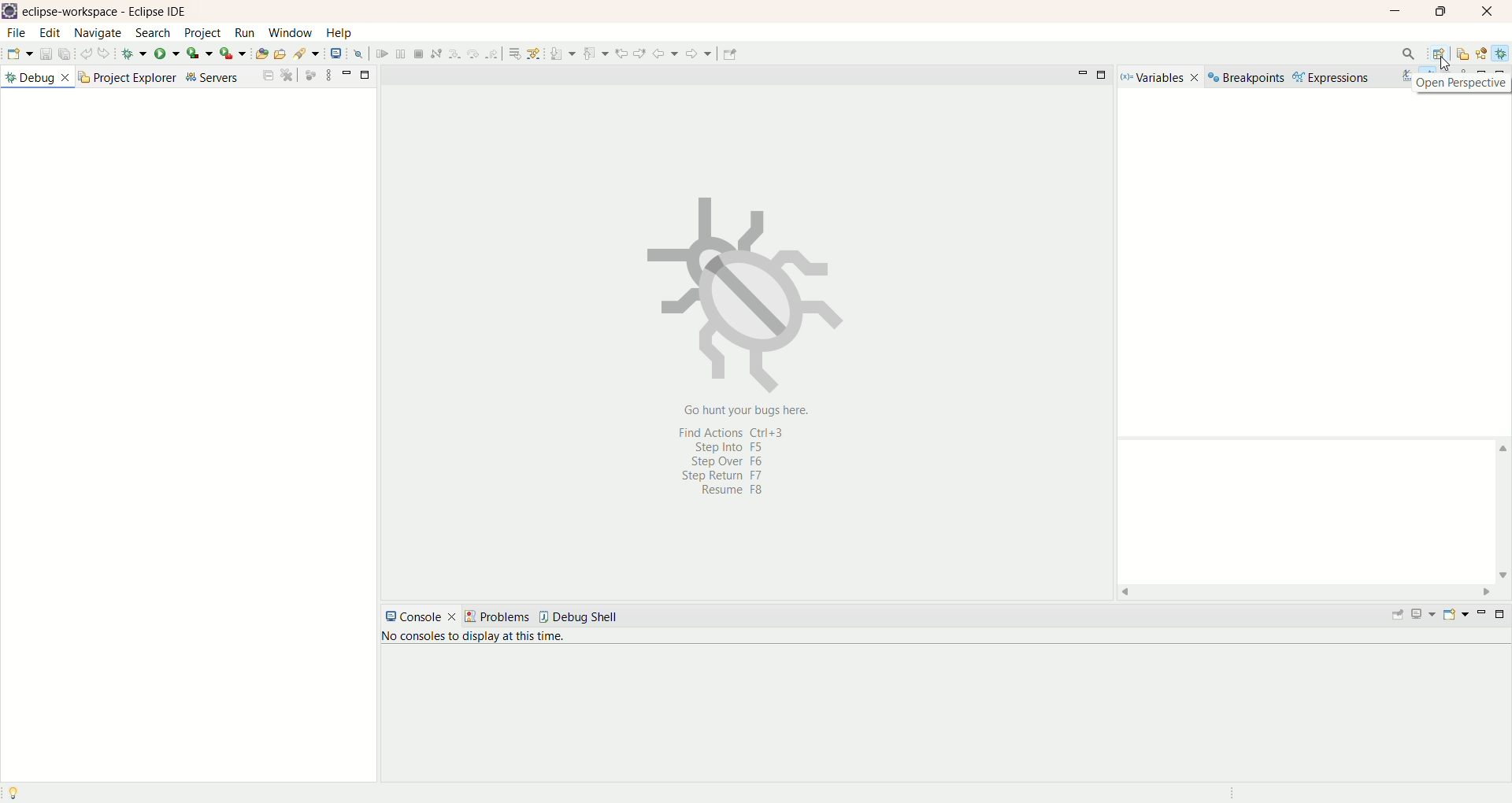  What do you see at coordinates (330, 75) in the screenshot?
I see `view options` at bounding box center [330, 75].